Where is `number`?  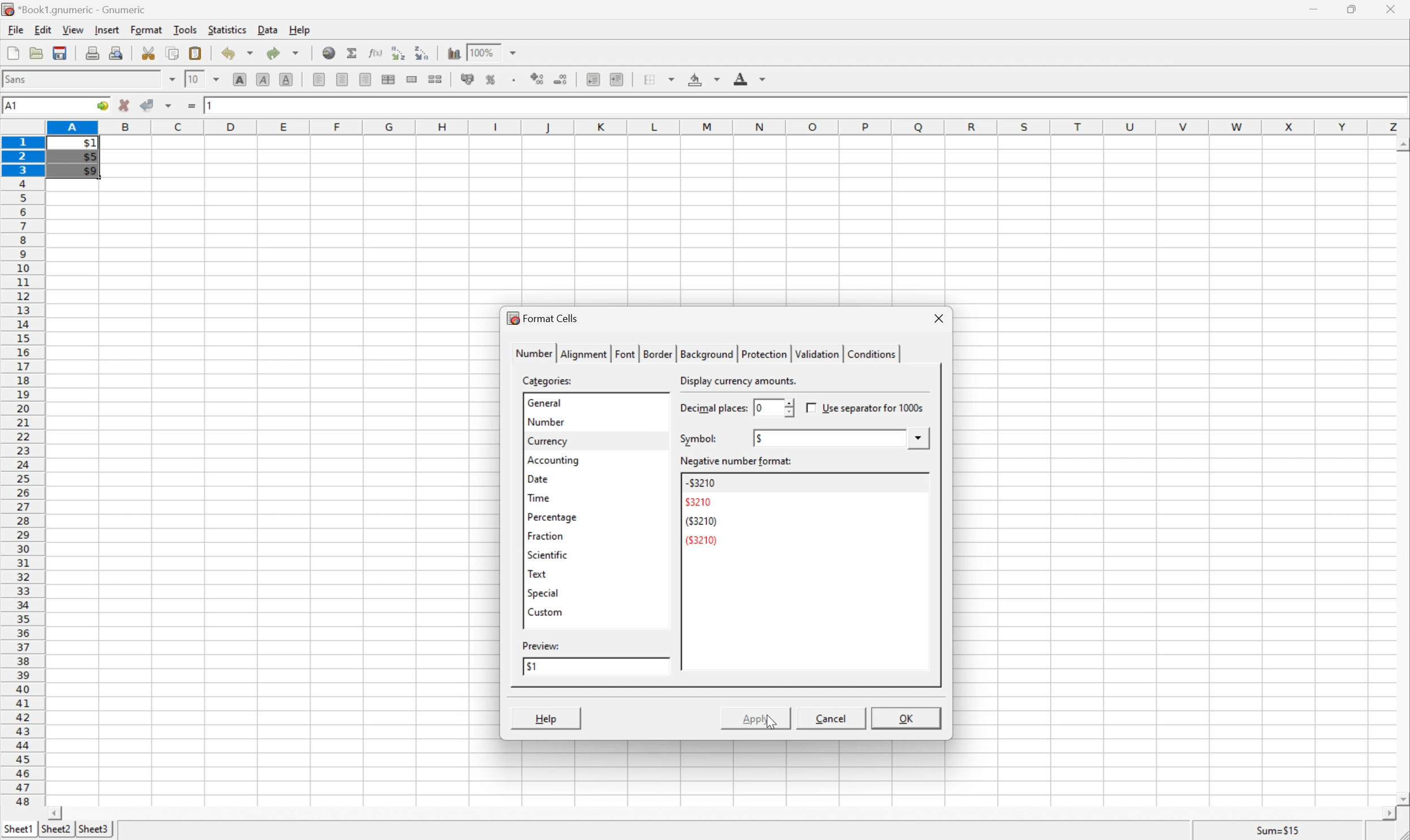 number is located at coordinates (544, 421).